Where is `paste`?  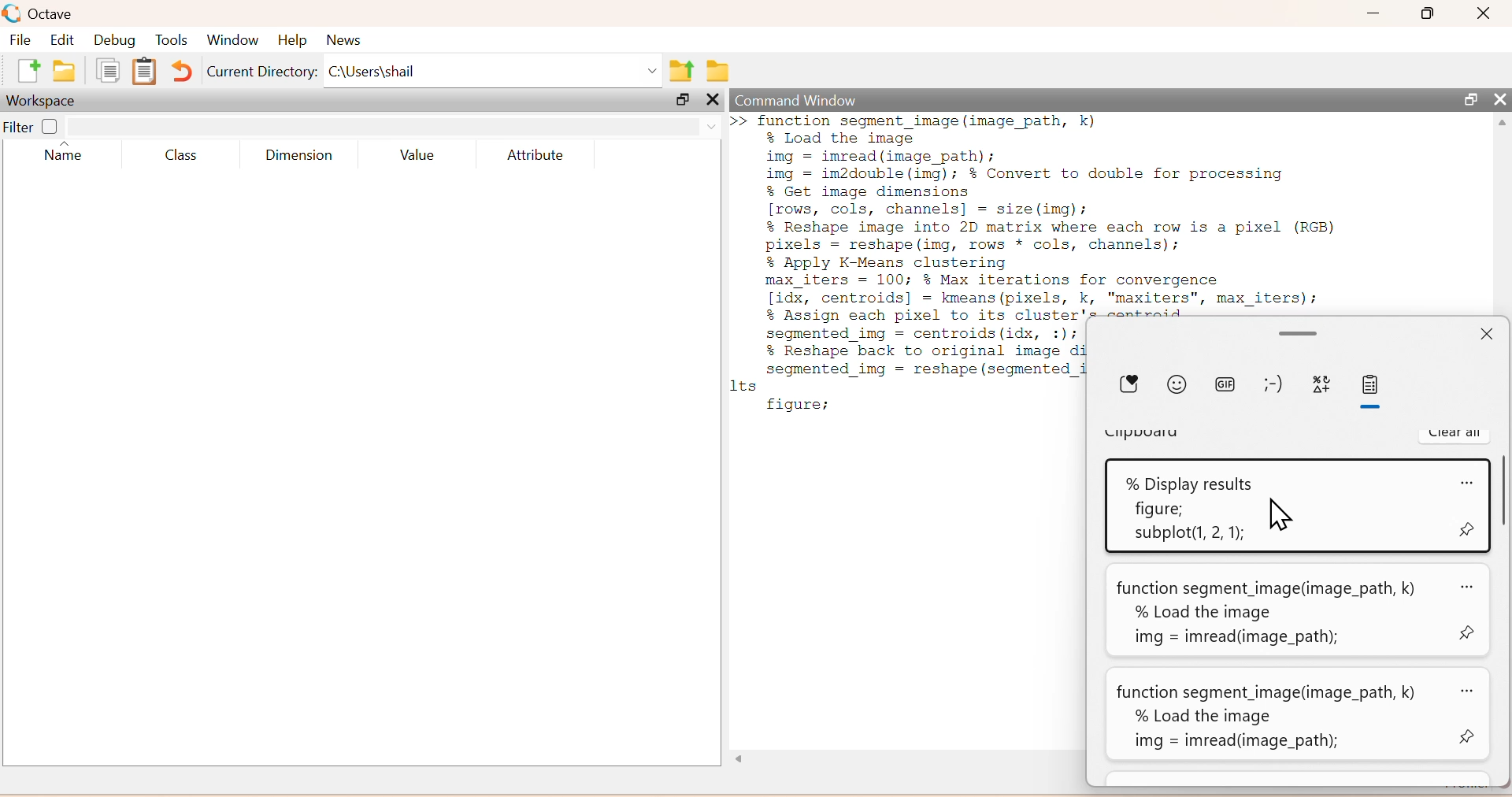
paste is located at coordinates (144, 71).